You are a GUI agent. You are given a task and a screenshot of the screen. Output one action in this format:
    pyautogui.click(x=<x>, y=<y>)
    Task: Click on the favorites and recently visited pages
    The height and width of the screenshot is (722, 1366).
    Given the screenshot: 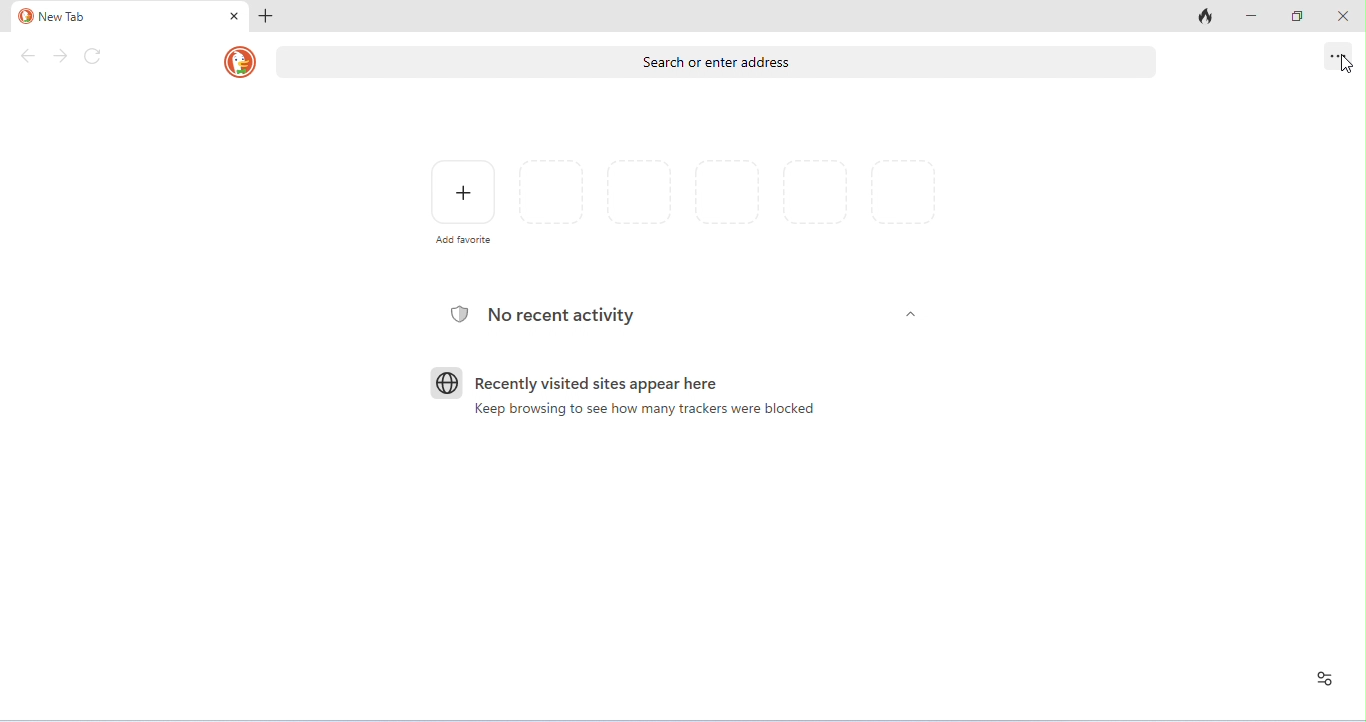 What is the action you would take?
    pyautogui.click(x=727, y=195)
    